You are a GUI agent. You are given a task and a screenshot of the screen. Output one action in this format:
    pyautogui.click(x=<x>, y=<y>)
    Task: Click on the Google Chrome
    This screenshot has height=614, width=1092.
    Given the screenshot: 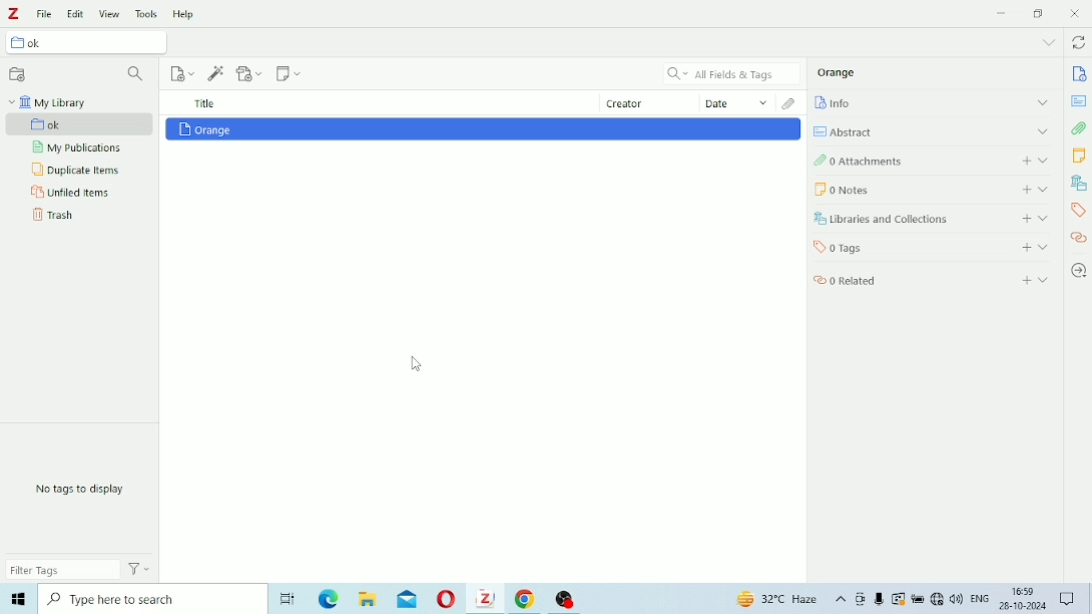 What is the action you would take?
    pyautogui.click(x=528, y=599)
    